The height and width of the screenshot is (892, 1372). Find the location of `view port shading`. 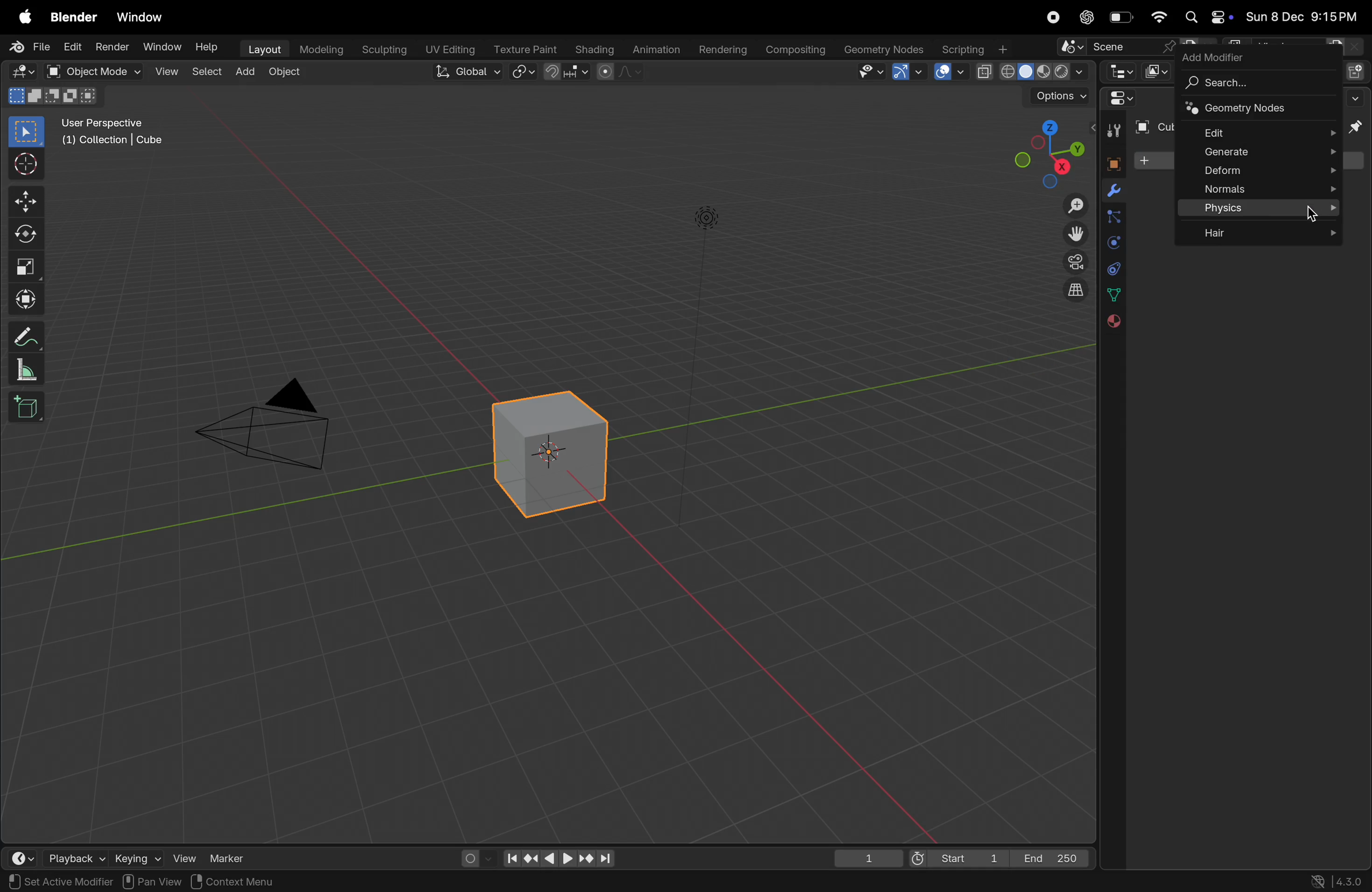

view port shading is located at coordinates (1031, 72).